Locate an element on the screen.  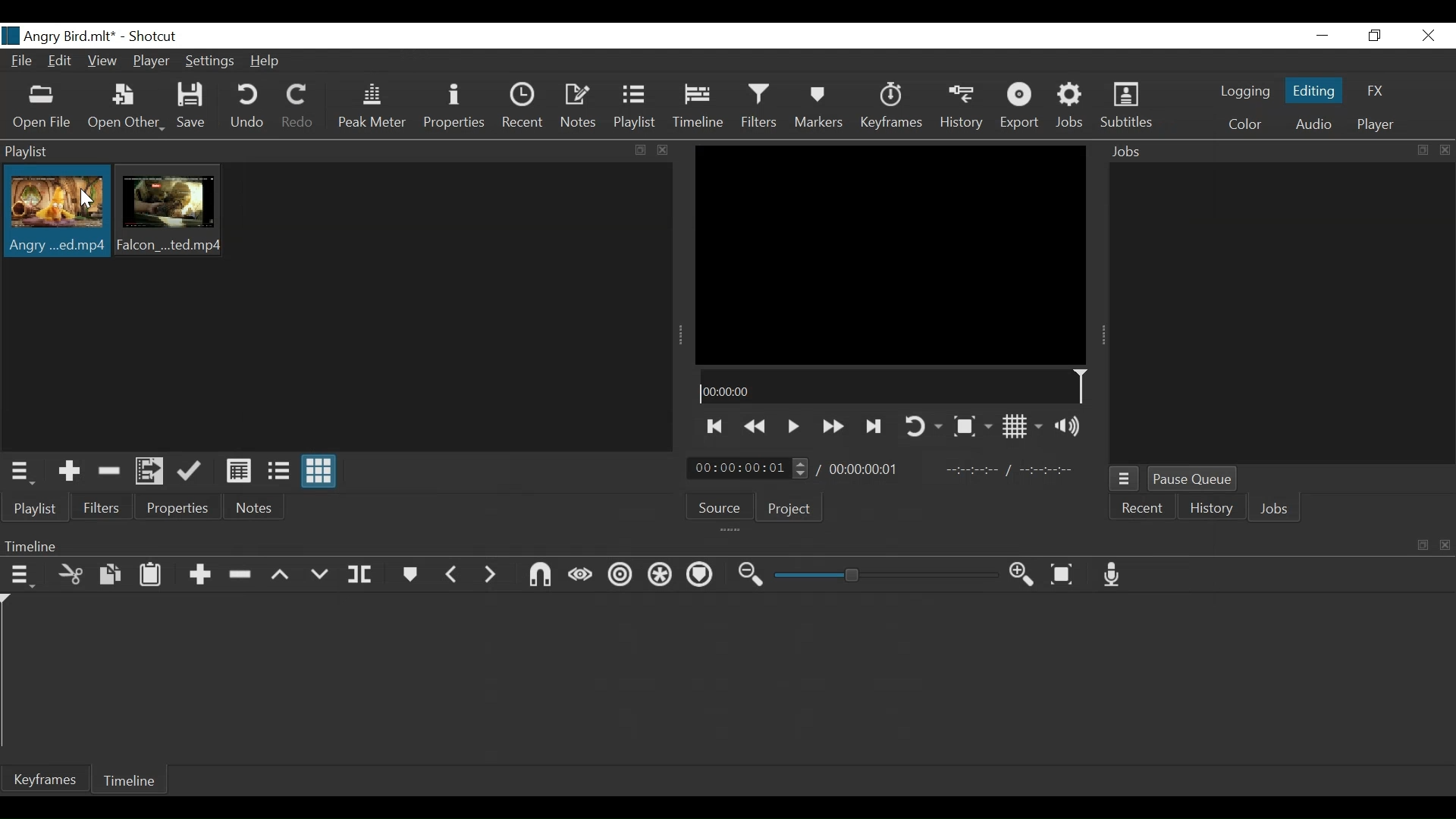
Filters is located at coordinates (102, 507).